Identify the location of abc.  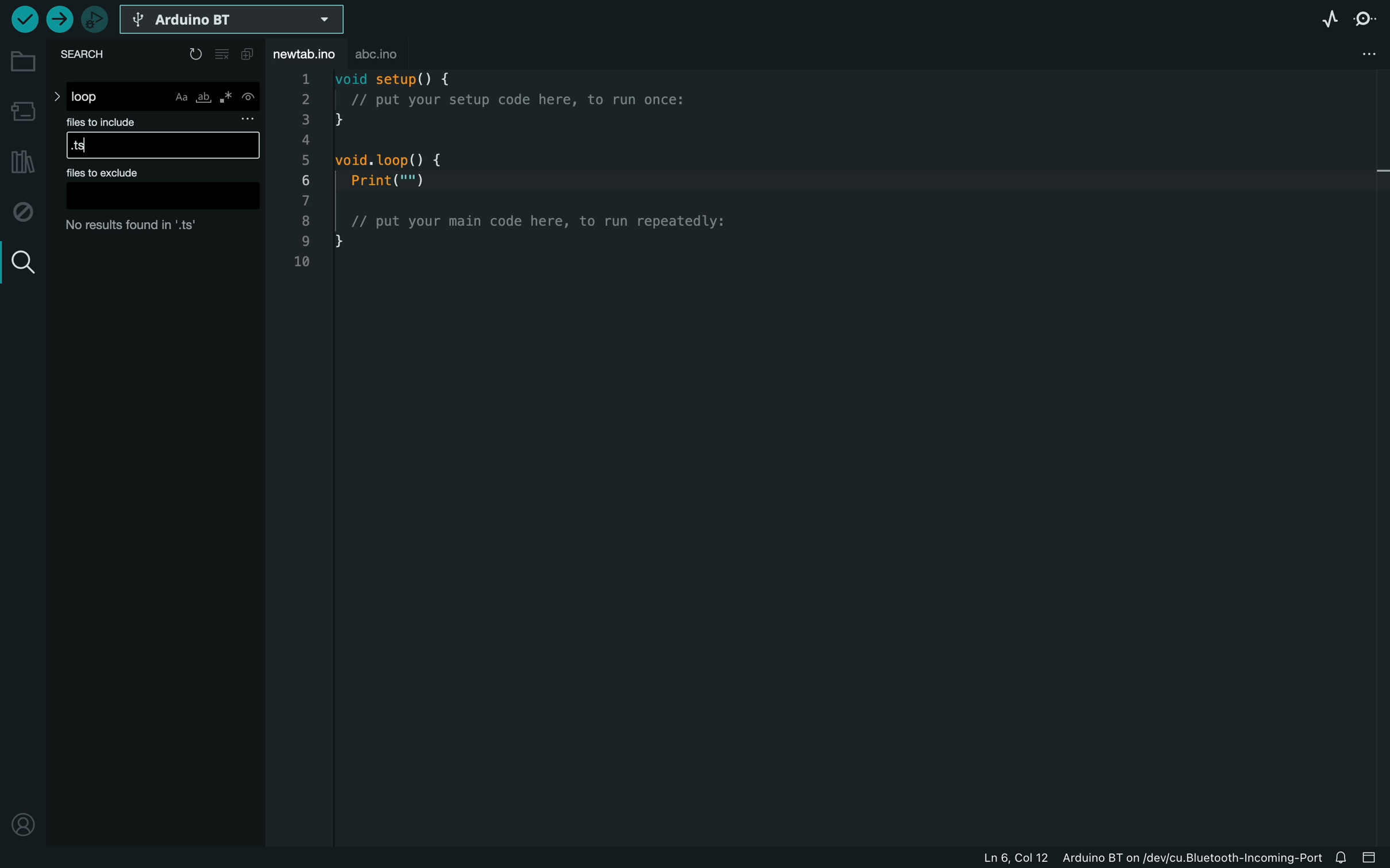
(391, 54).